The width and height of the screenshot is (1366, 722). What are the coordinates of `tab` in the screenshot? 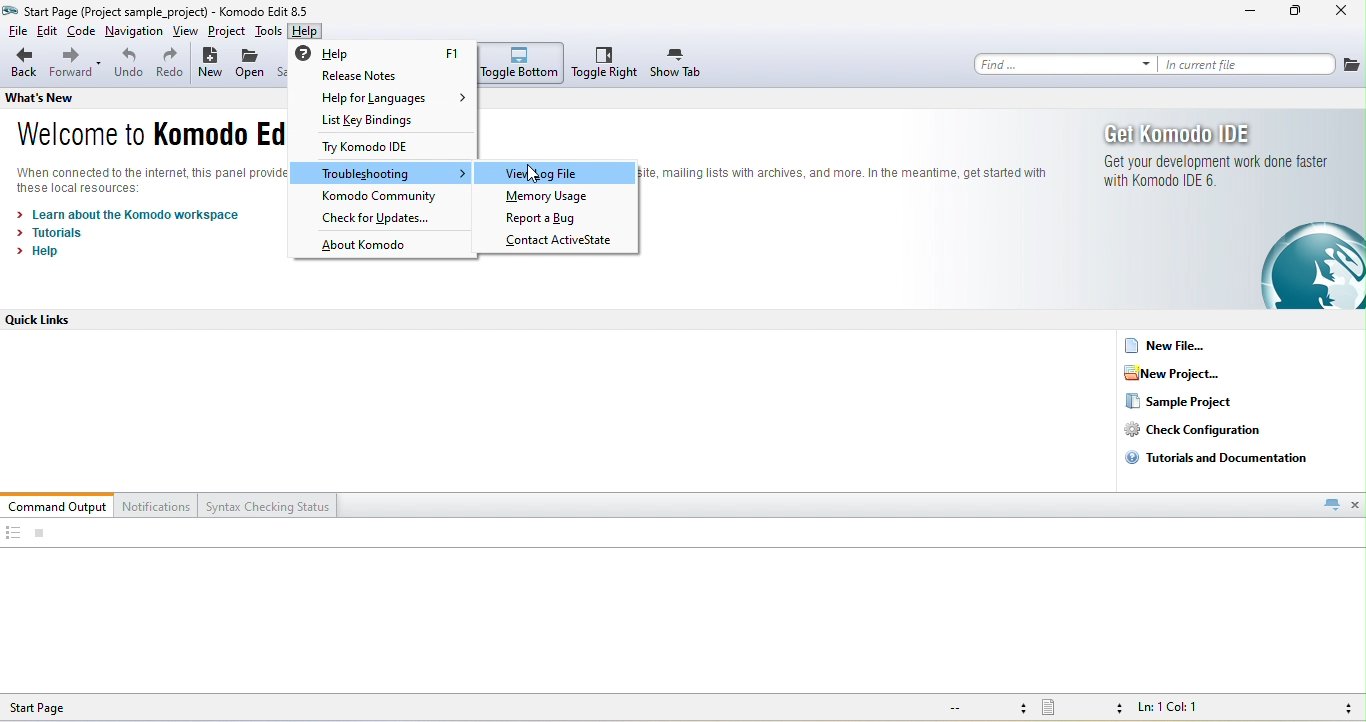 It's located at (1331, 504).